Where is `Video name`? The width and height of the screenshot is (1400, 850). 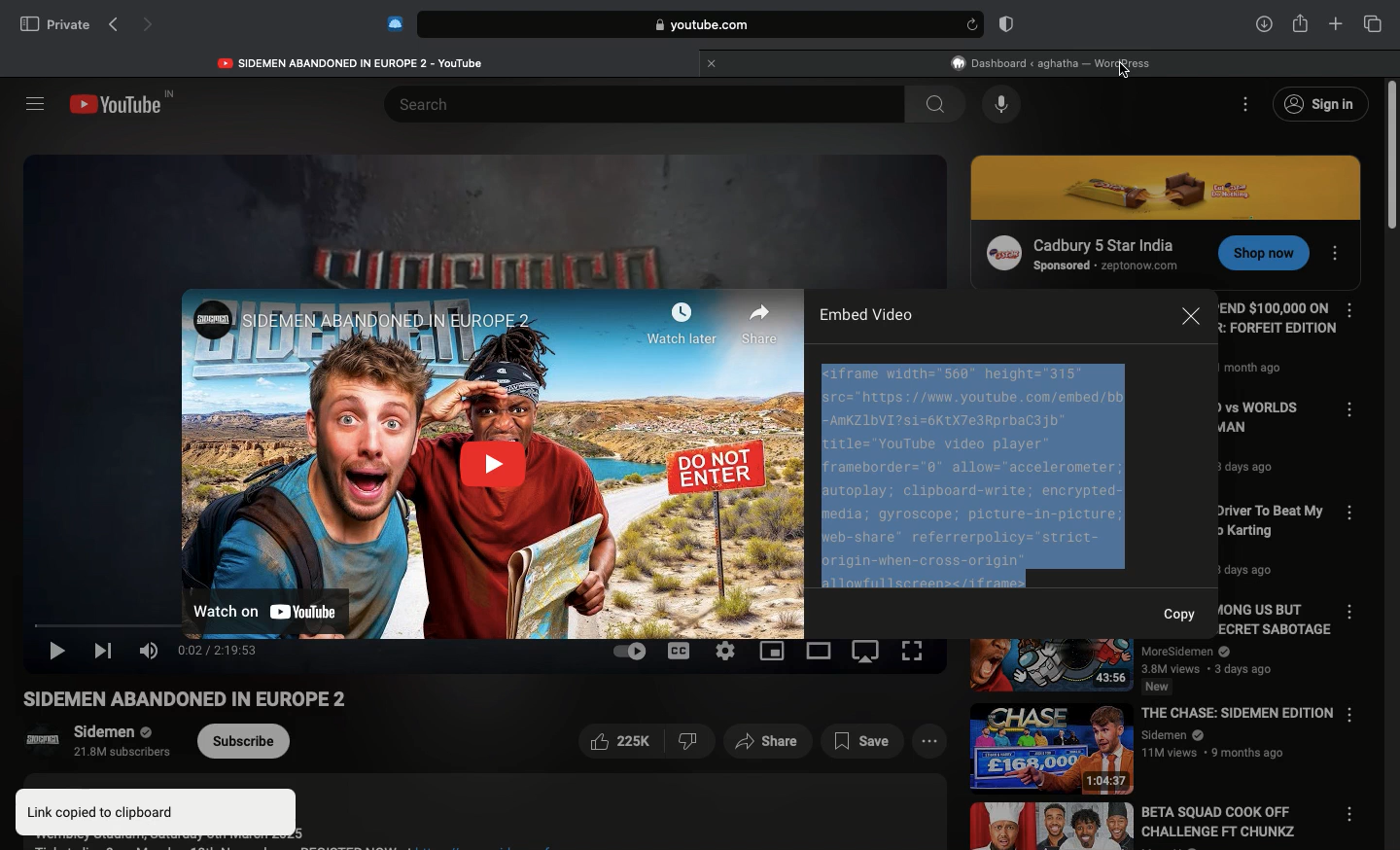 Video name is located at coordinates (1263, 541).